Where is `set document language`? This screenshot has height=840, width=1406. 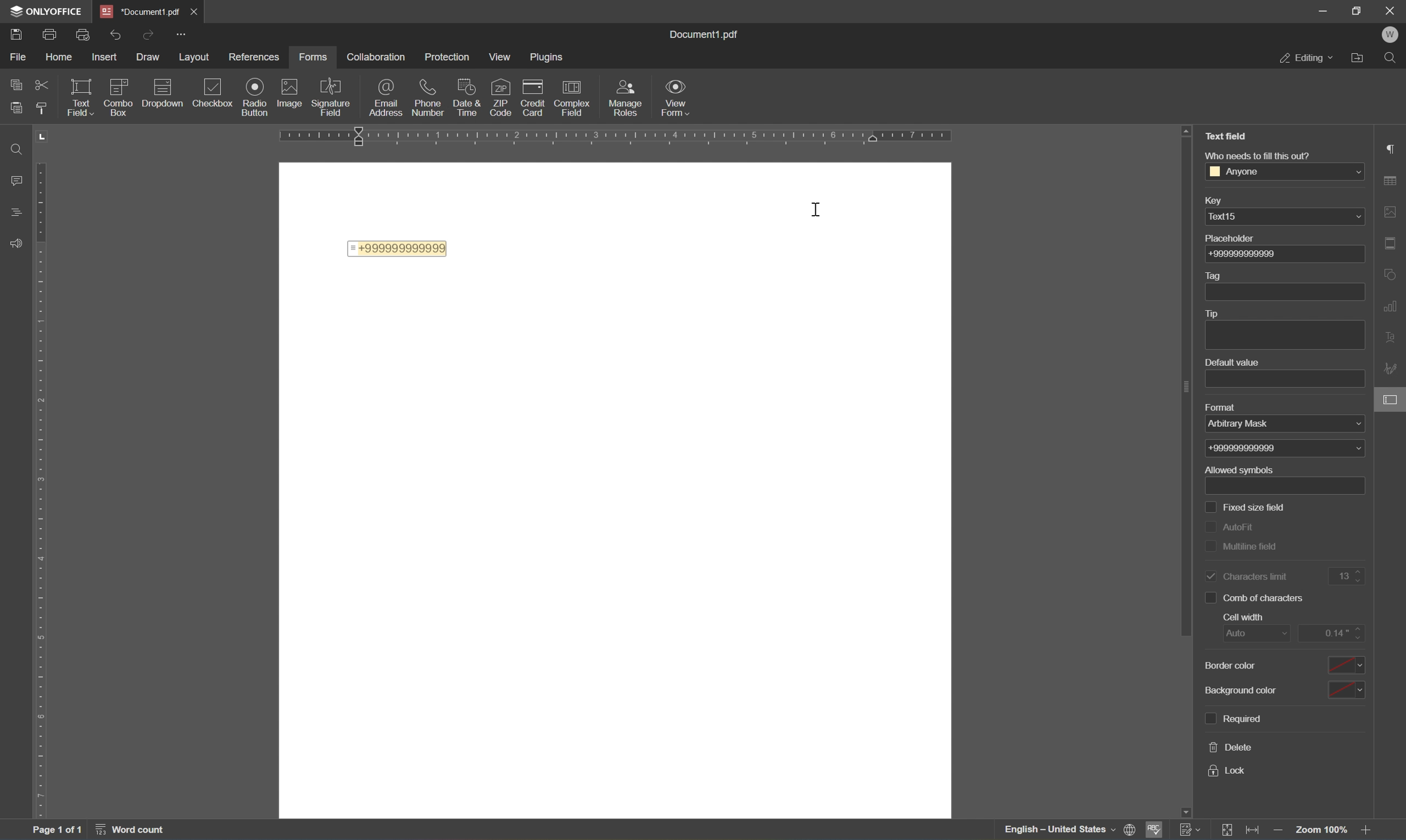 set document language is located at coordinates (1131, 829).